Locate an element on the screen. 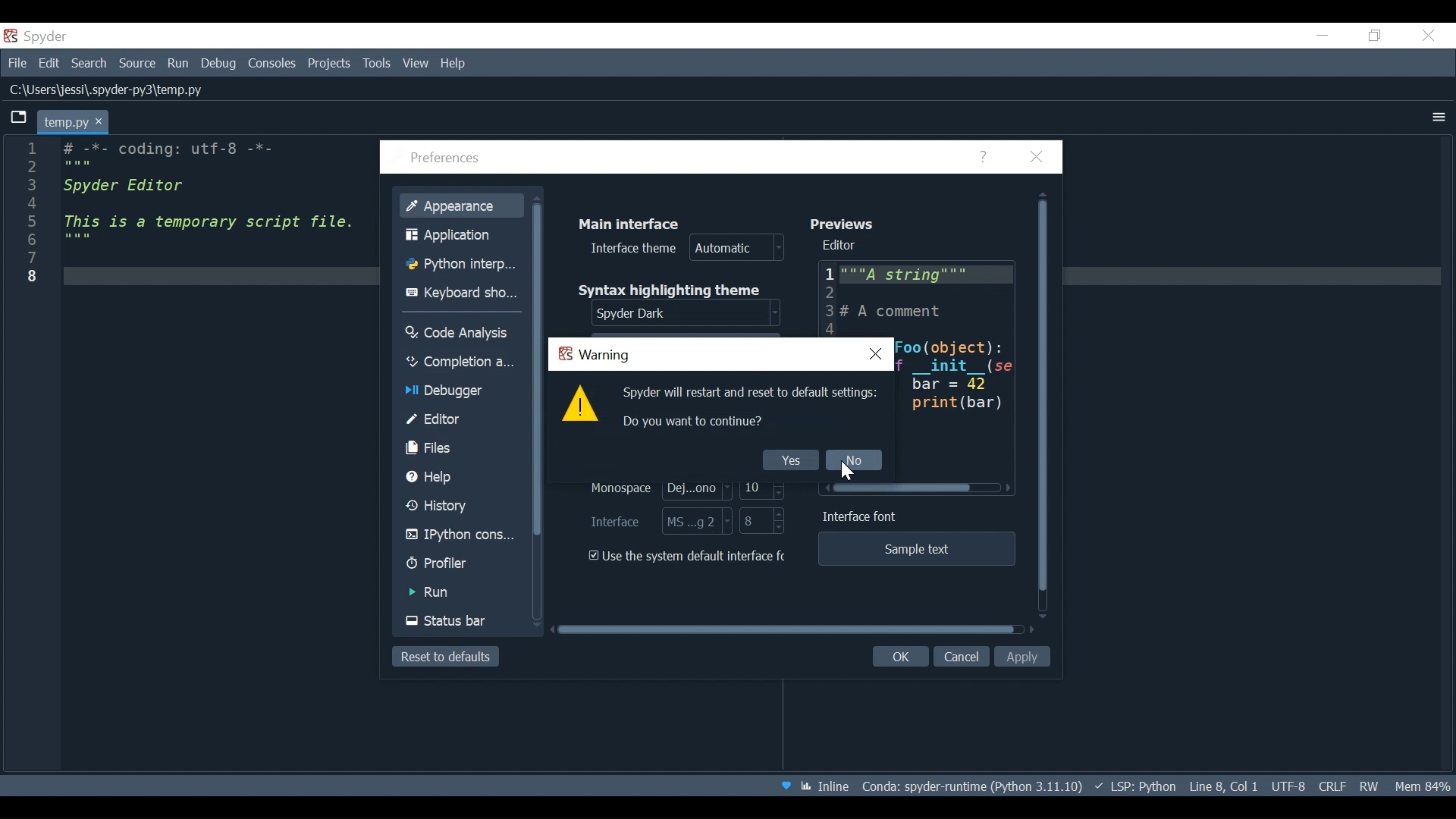 The image size is (1456, 819). Minimize is located at coordinates (1323, 35).